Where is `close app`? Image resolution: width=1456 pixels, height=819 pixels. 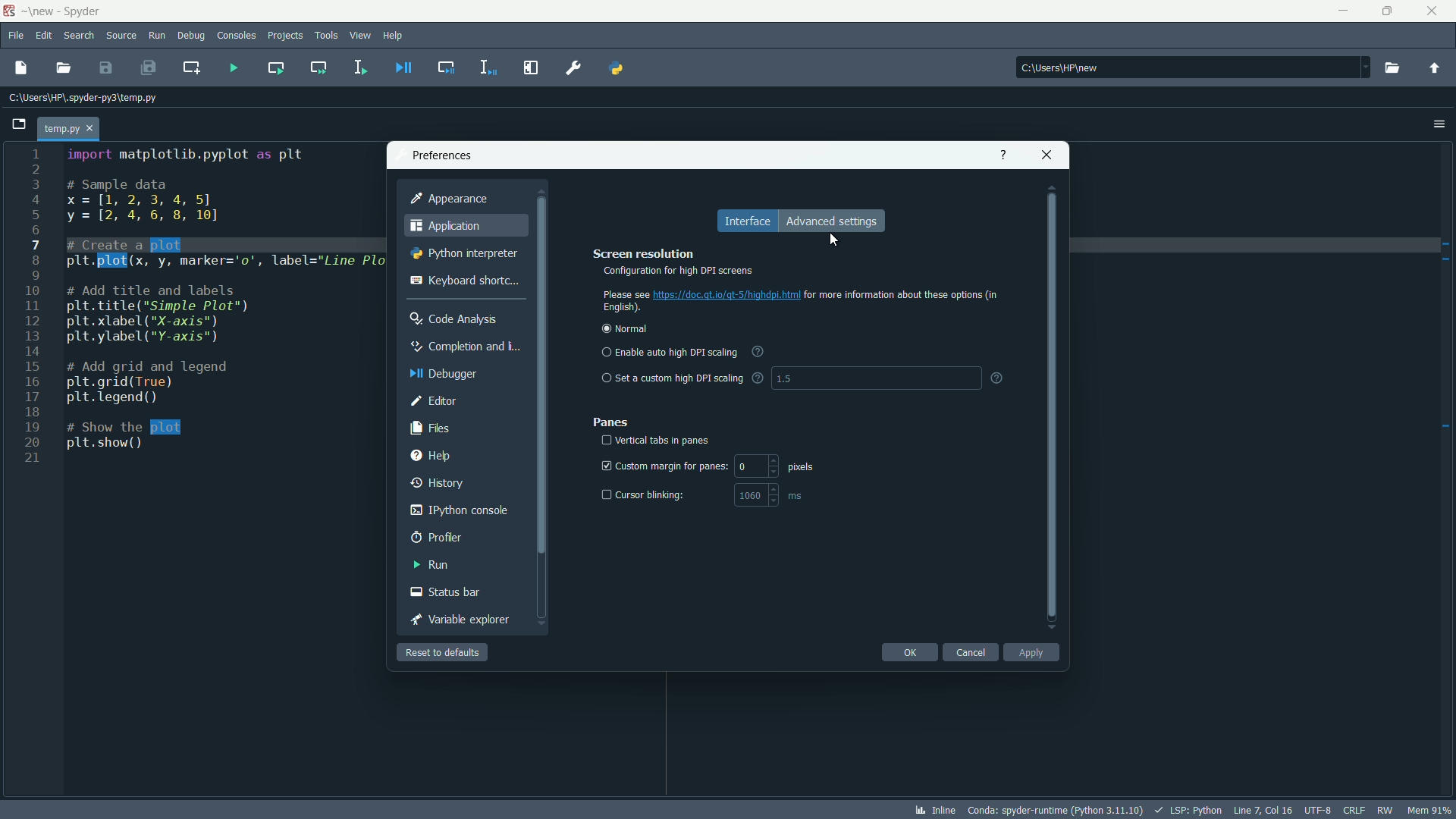
close app is located at coordinates (1434, 11).